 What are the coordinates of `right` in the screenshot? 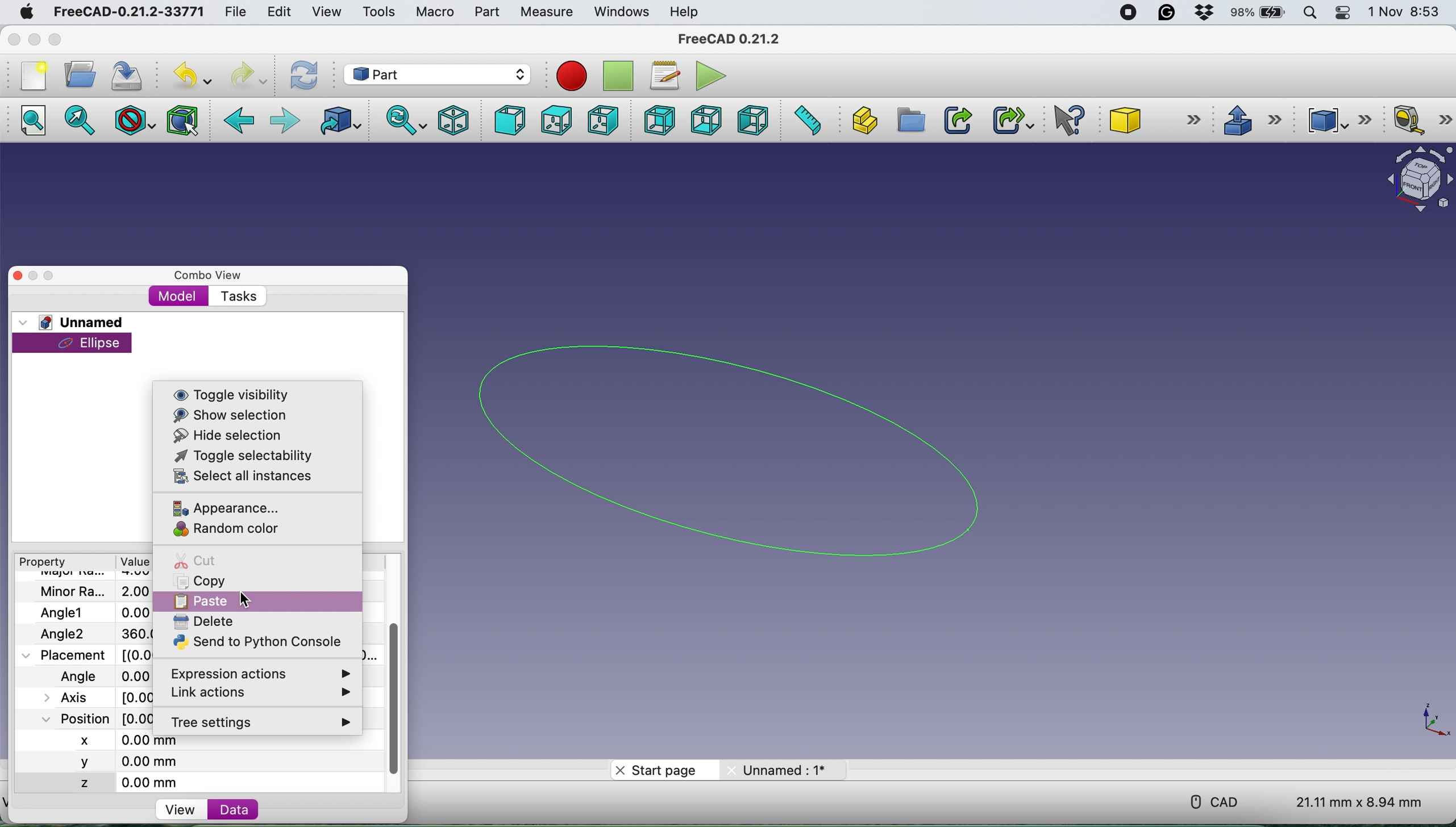 It's located at (605, 120).